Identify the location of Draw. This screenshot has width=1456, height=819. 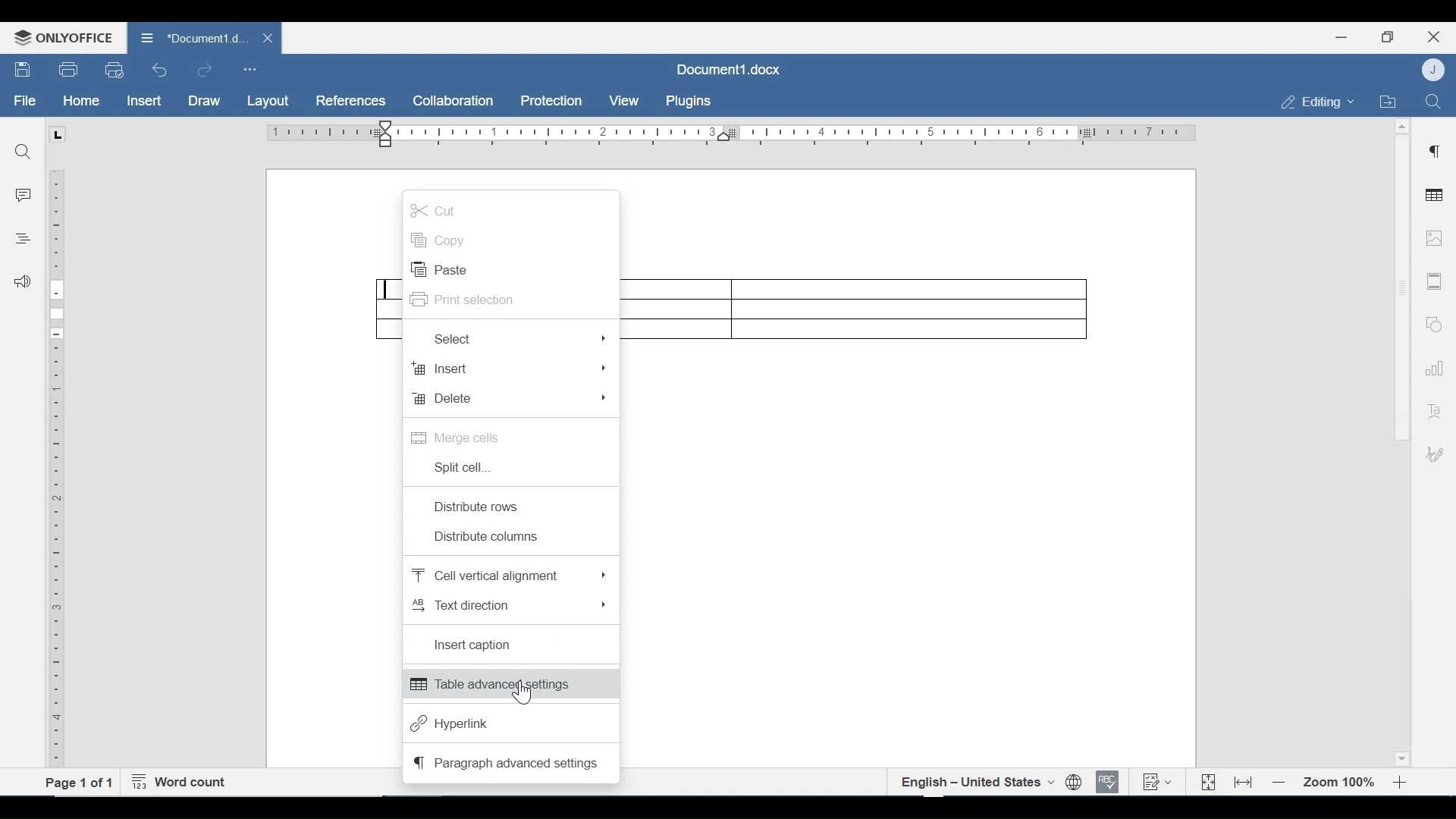
(204, 102).